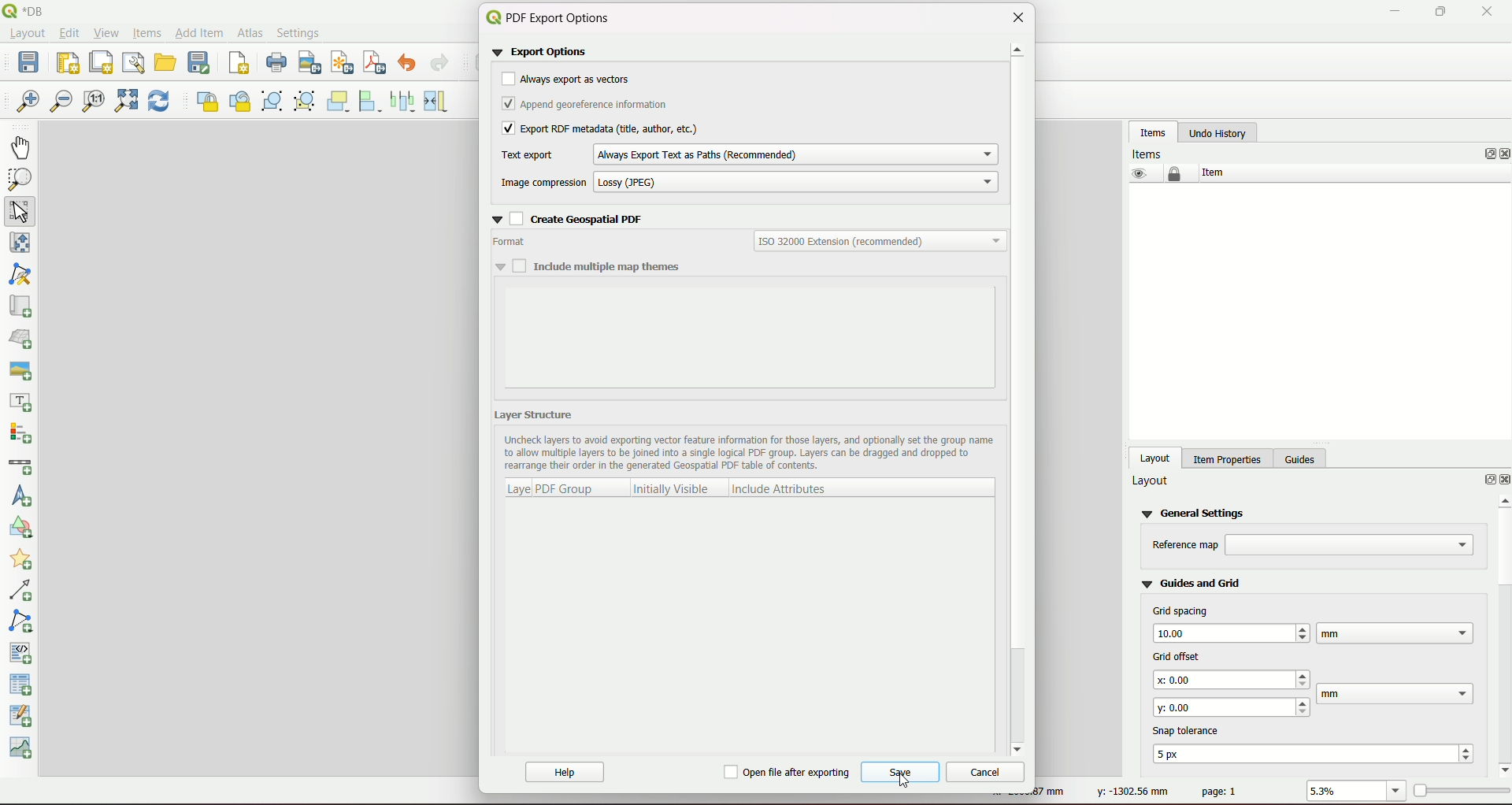 Image resolution: width=1512 pixels, height=805 pixels. Describe the element at coordinates (69, 35) in the screenshot. I see `Edit` at that location.